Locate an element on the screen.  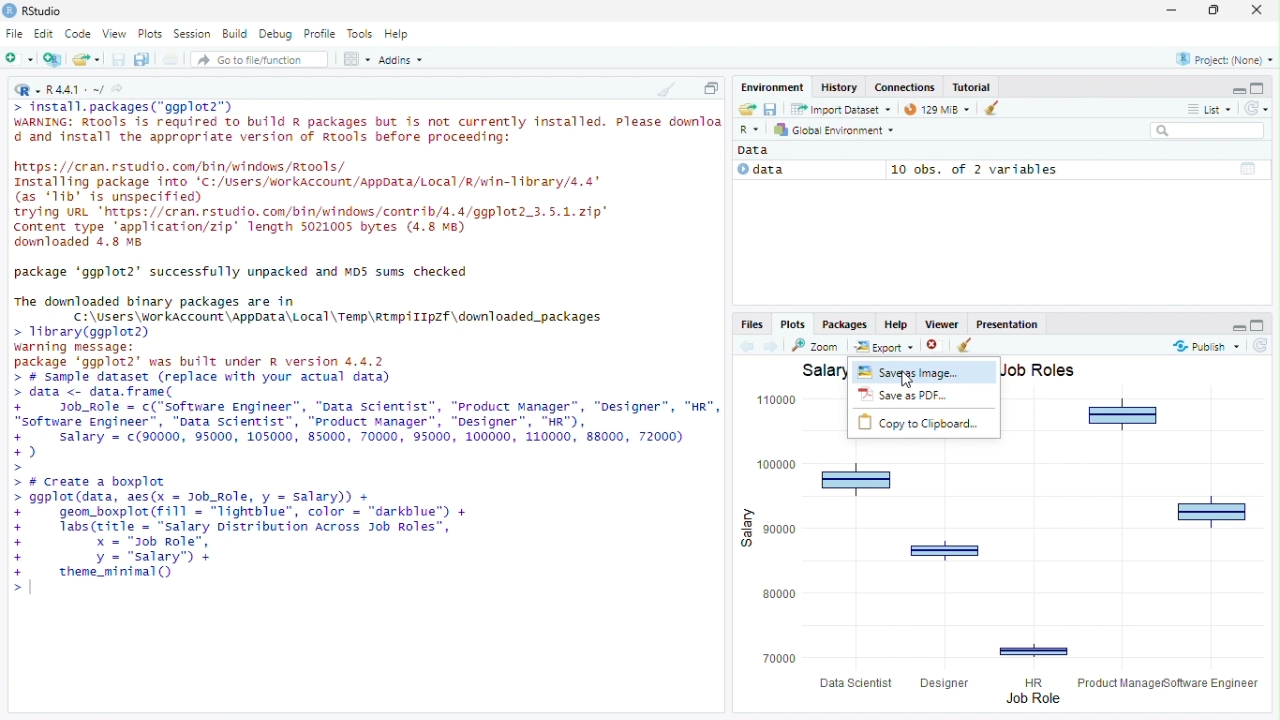
maximize is located at coordinates (1261, 325).